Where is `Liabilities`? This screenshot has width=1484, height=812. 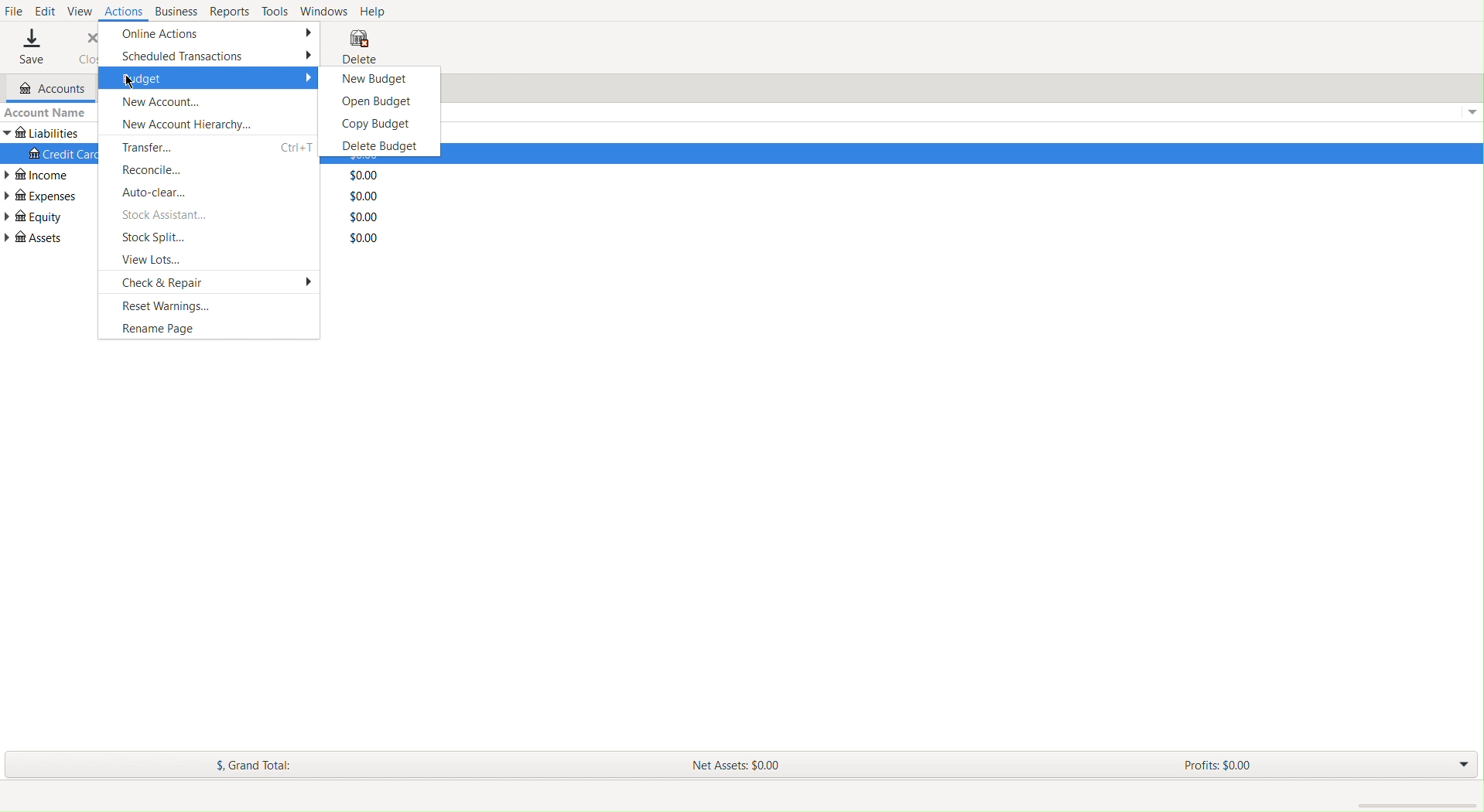
Liabilities is located at coordinates (43, 133).